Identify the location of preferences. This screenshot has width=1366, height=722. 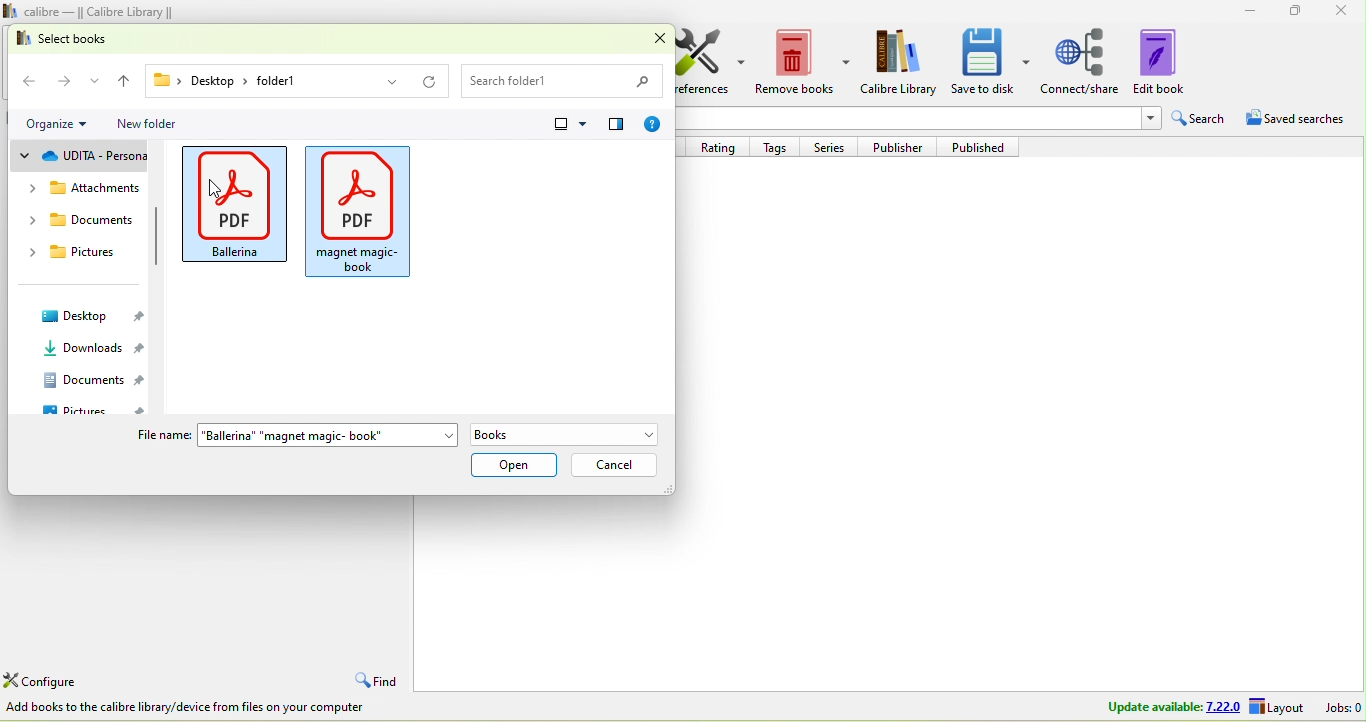
(711, 63).